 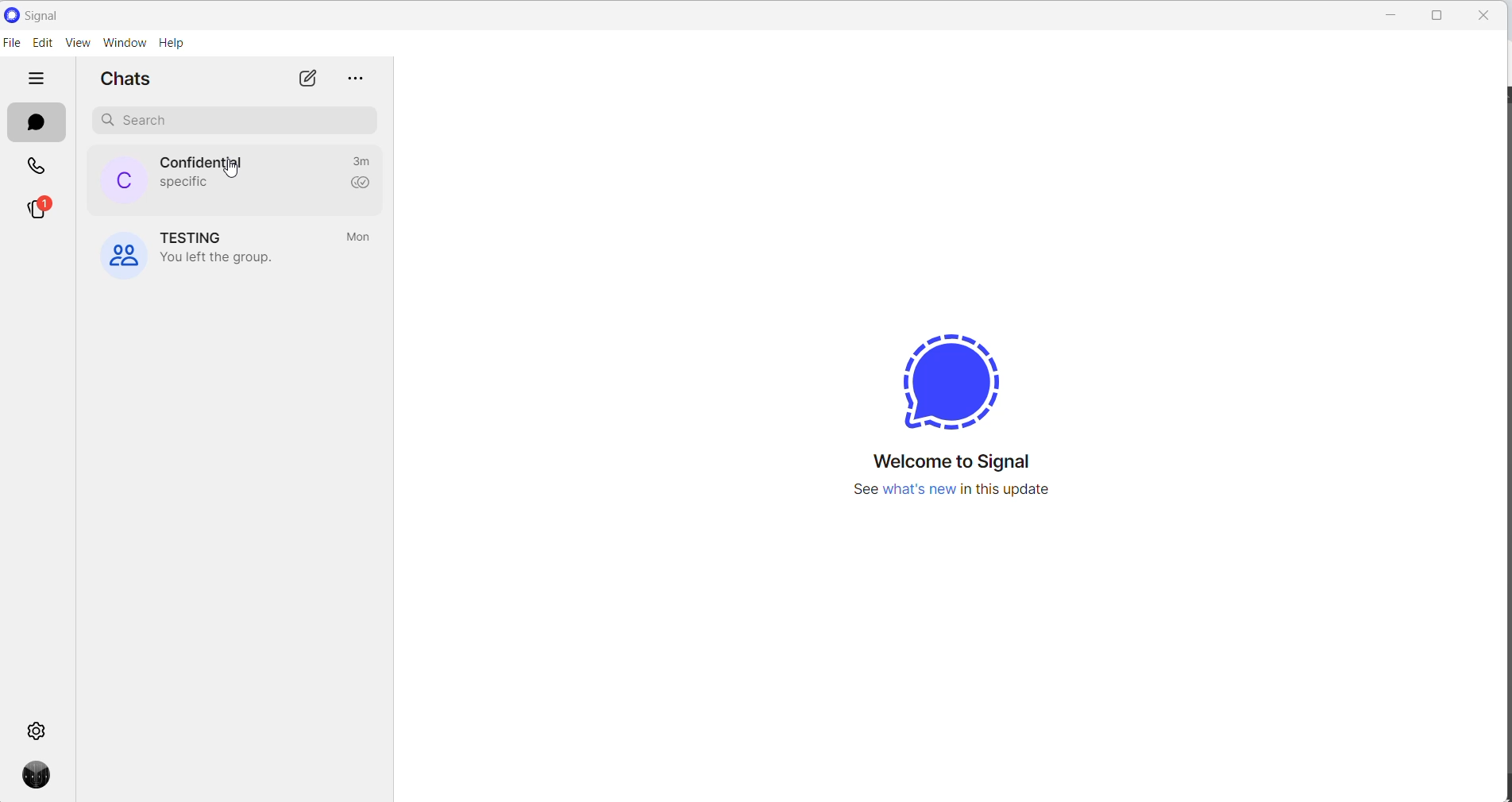 I want to click on more options, so click(x=353, y=81).